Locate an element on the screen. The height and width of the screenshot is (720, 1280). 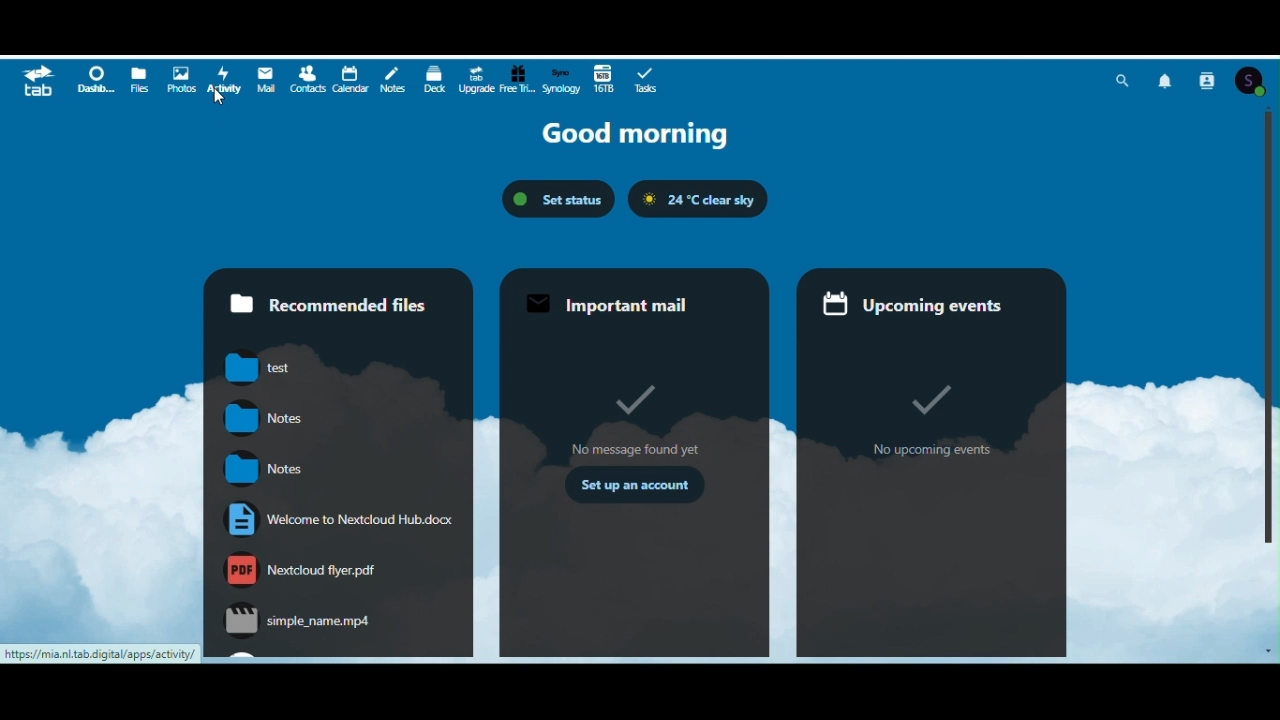
Free trial is located at coordinates (519, 79).